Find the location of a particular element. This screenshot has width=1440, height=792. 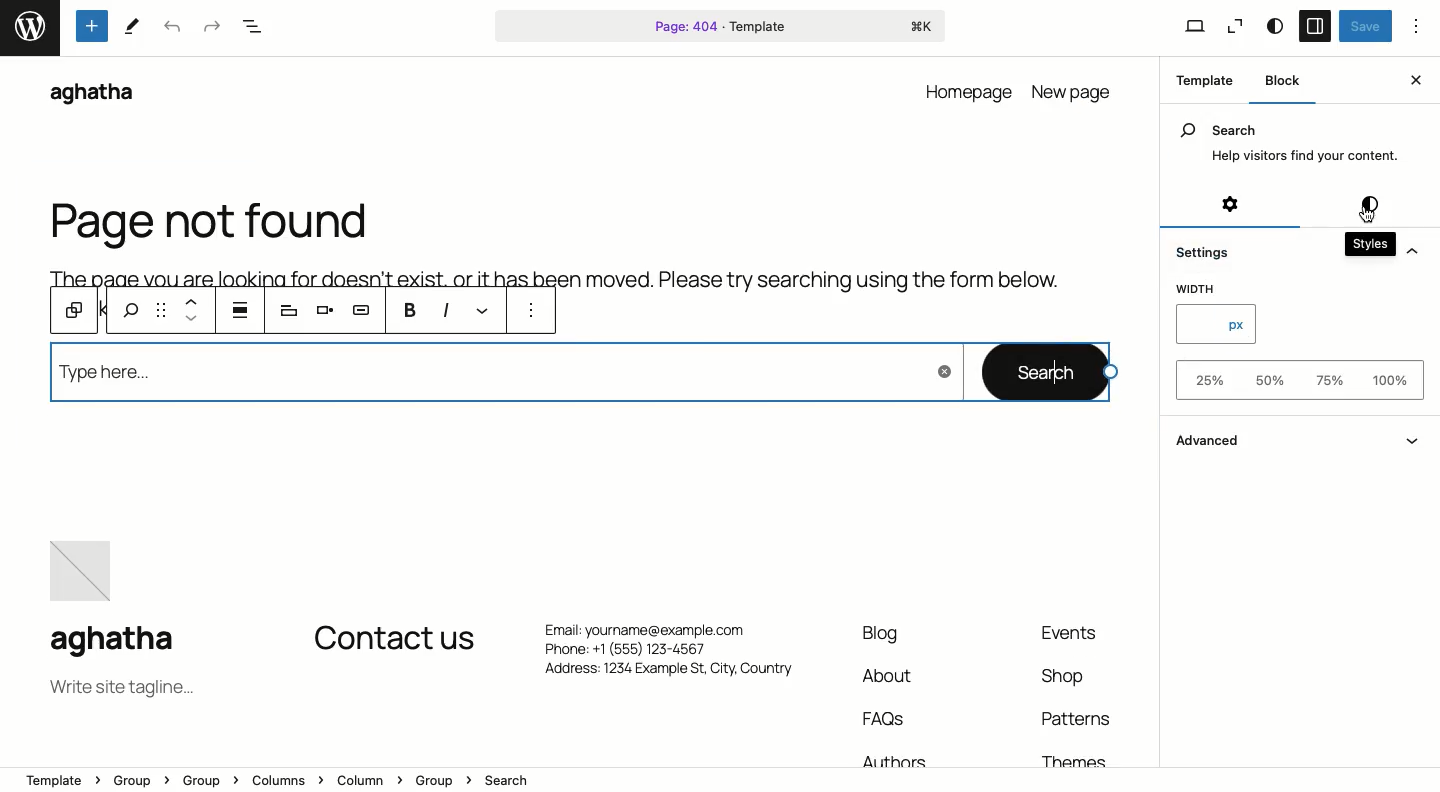

Sidebar is located at coordinates (1316, 26).